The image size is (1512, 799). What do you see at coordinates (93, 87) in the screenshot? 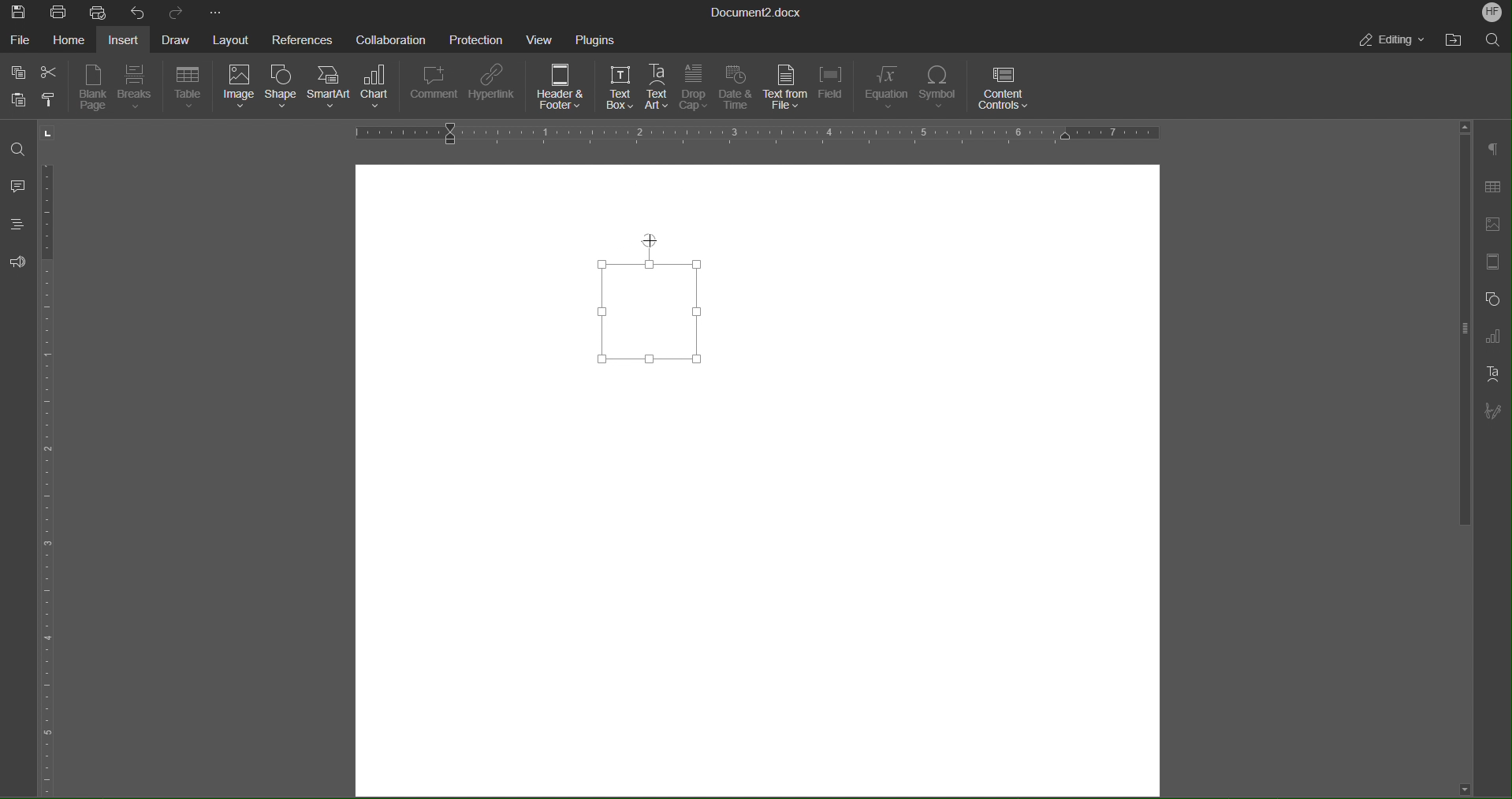
I see `Blank Page` at bounding box center [93, 87].